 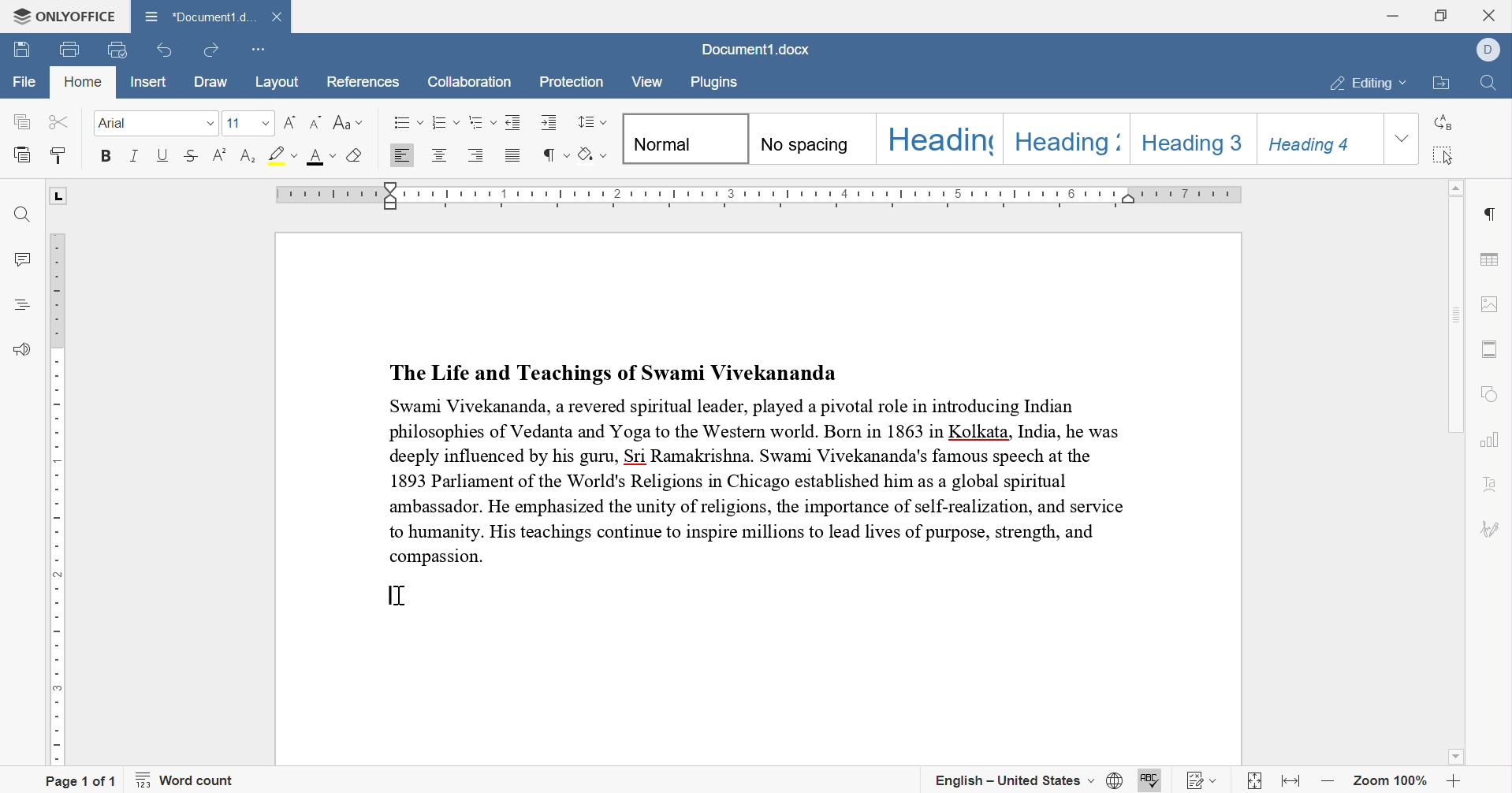 What do you see at coordinates (1452, 315) in the screenshot?
I see `scroll bar` at bounding box center [1452, 315].